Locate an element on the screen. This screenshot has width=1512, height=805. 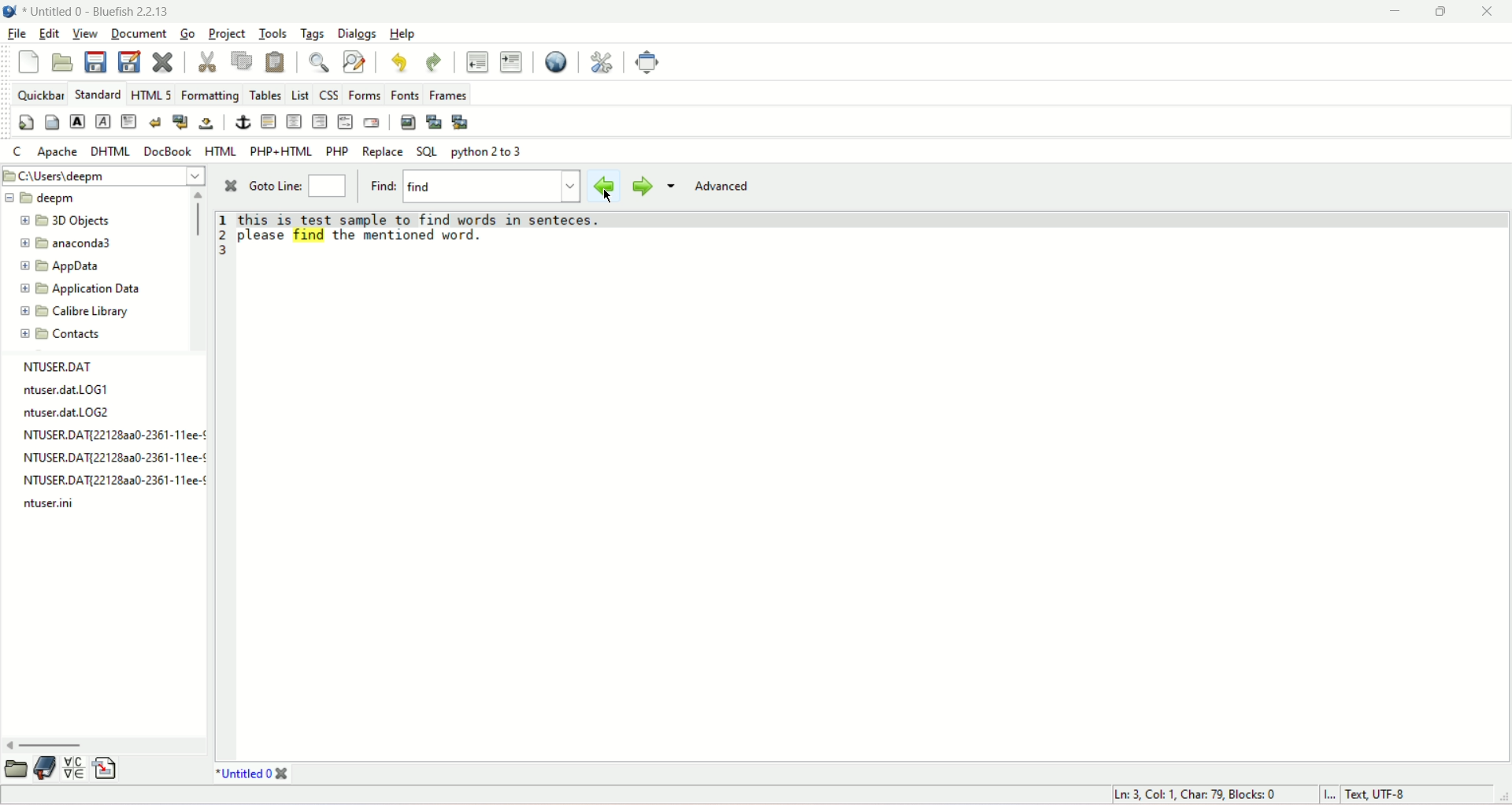
horizontal scroll bar is located at coordinates (46, 744).